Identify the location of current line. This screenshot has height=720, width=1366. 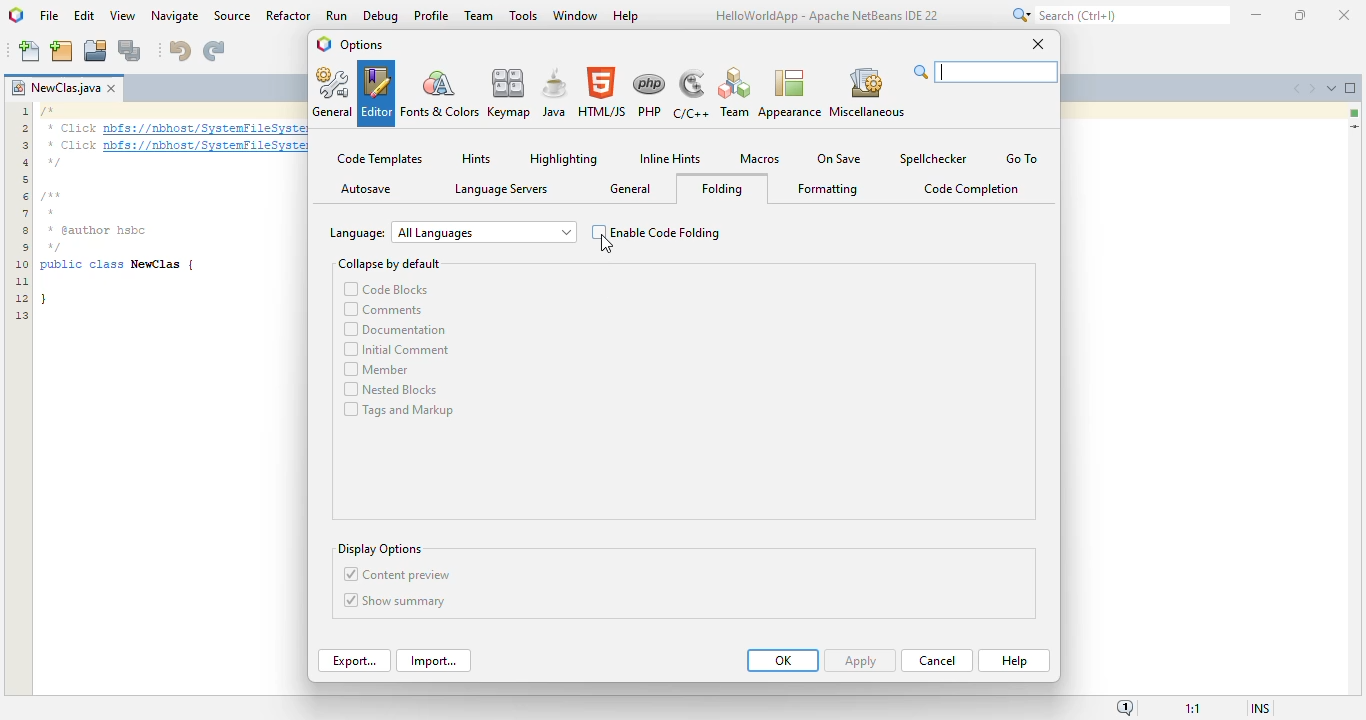
(1354, 126).